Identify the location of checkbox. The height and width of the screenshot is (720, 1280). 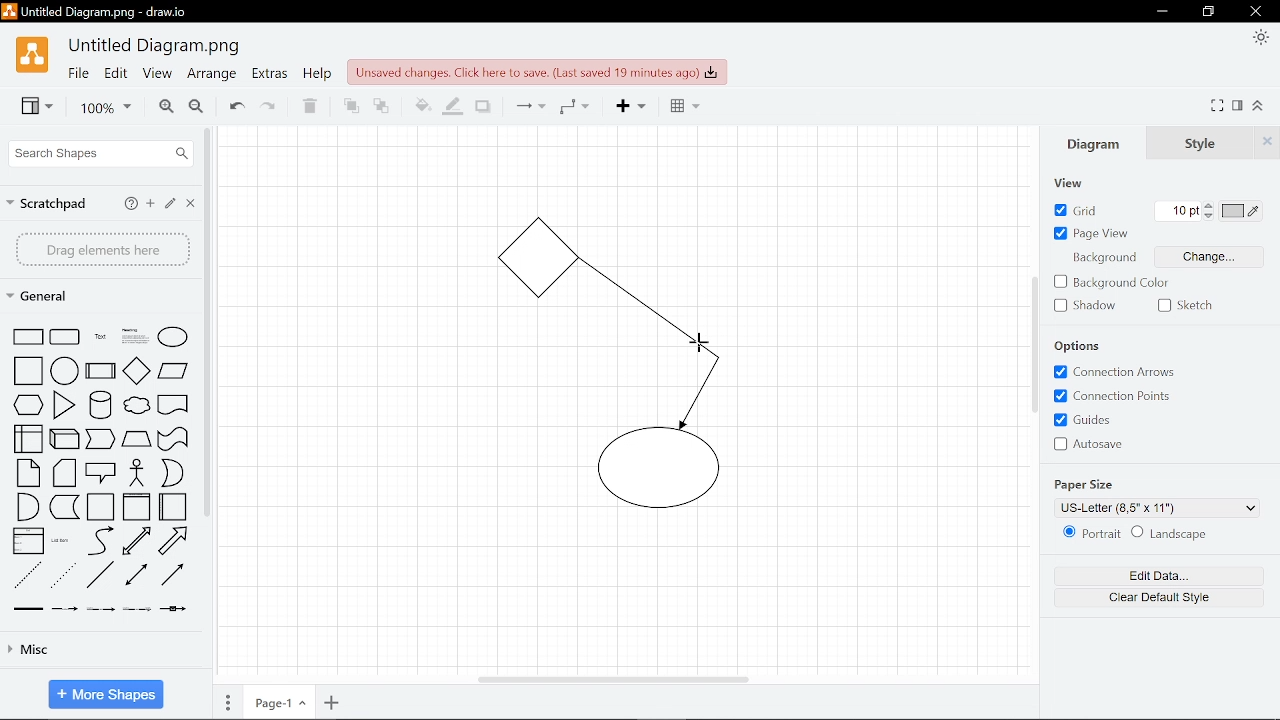
(1058, 210).